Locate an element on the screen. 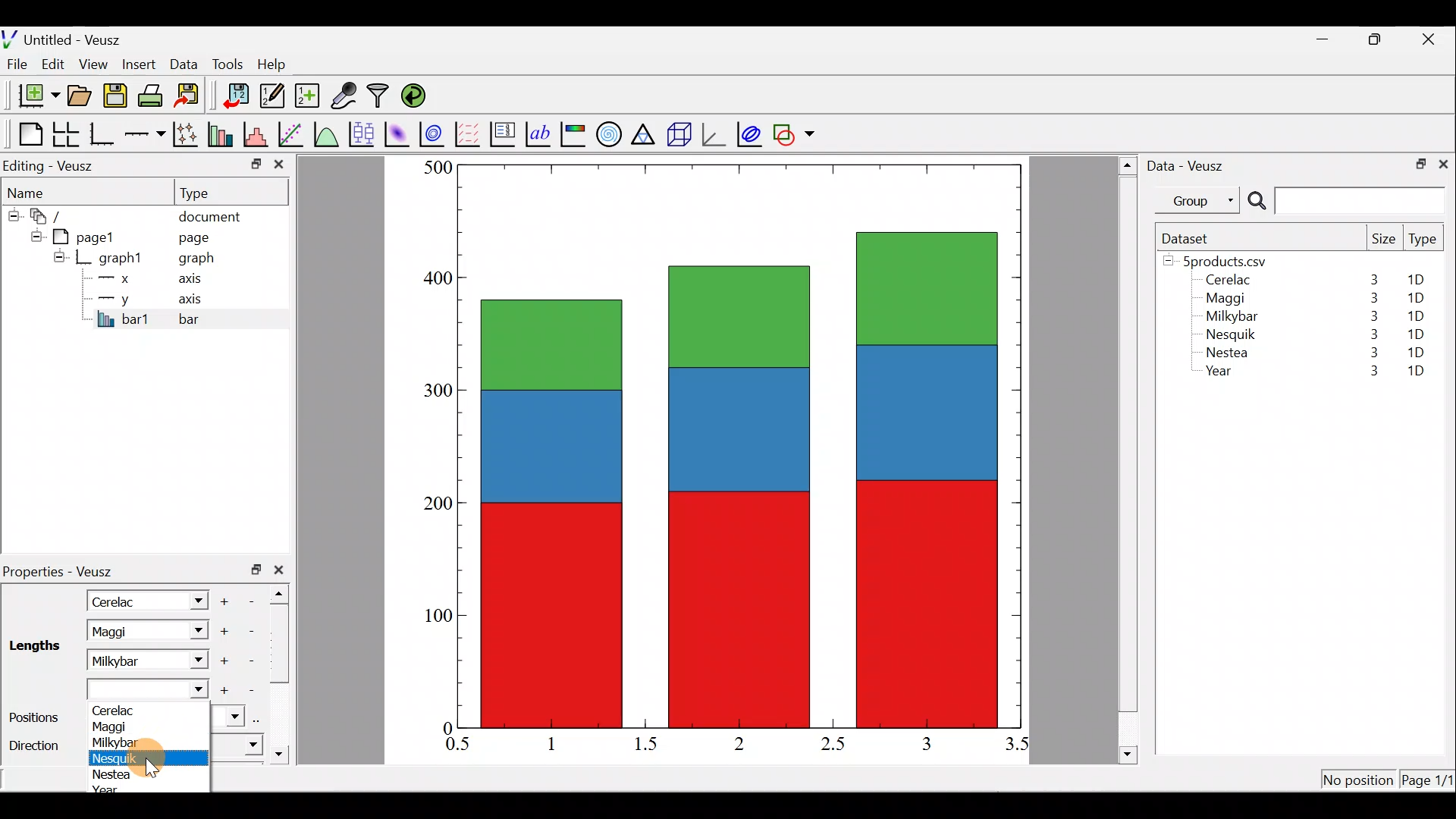  300 is located at coordinates (433, 388).